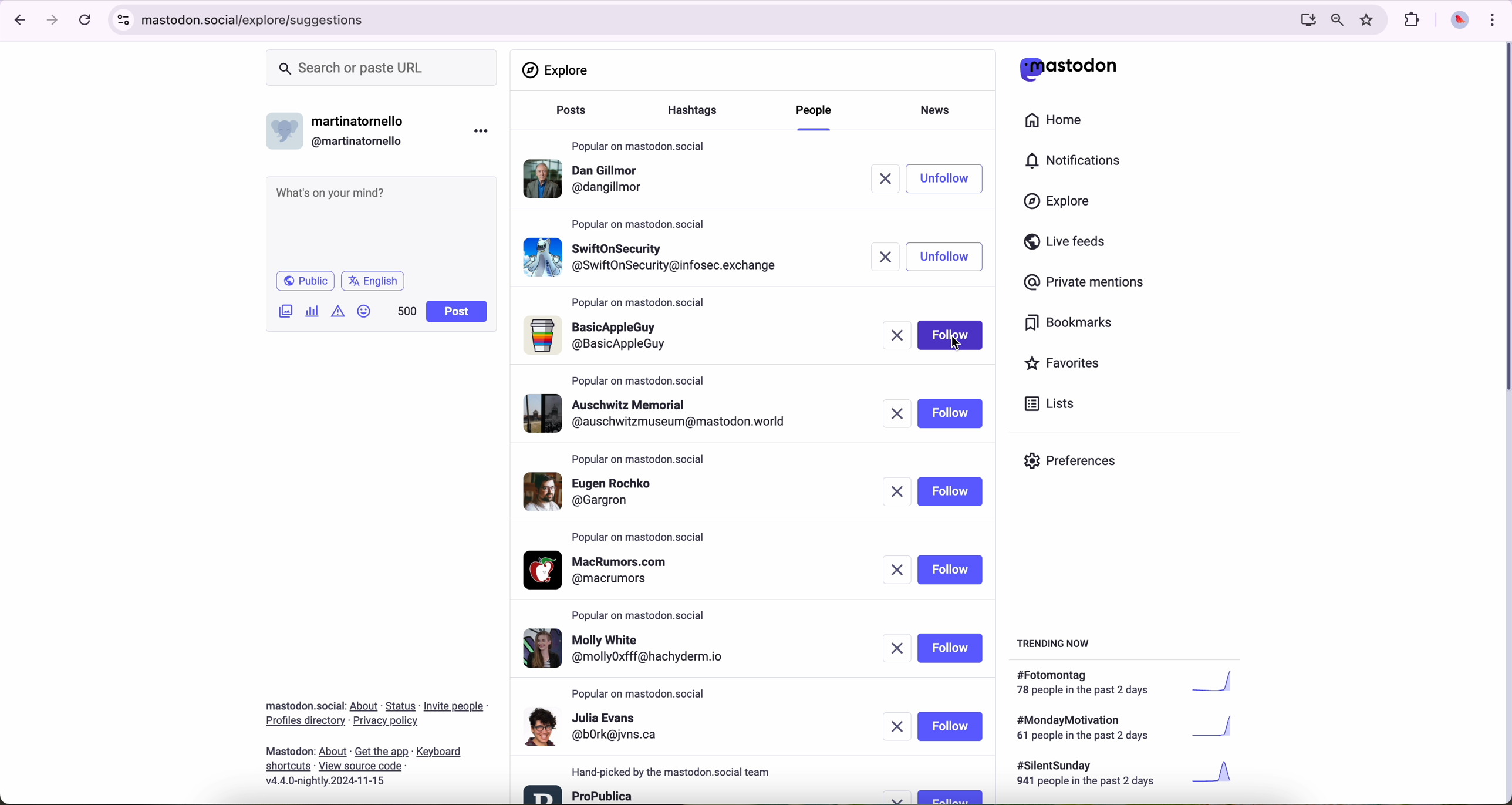  I want to click on click on follow button, so click(953, 178).